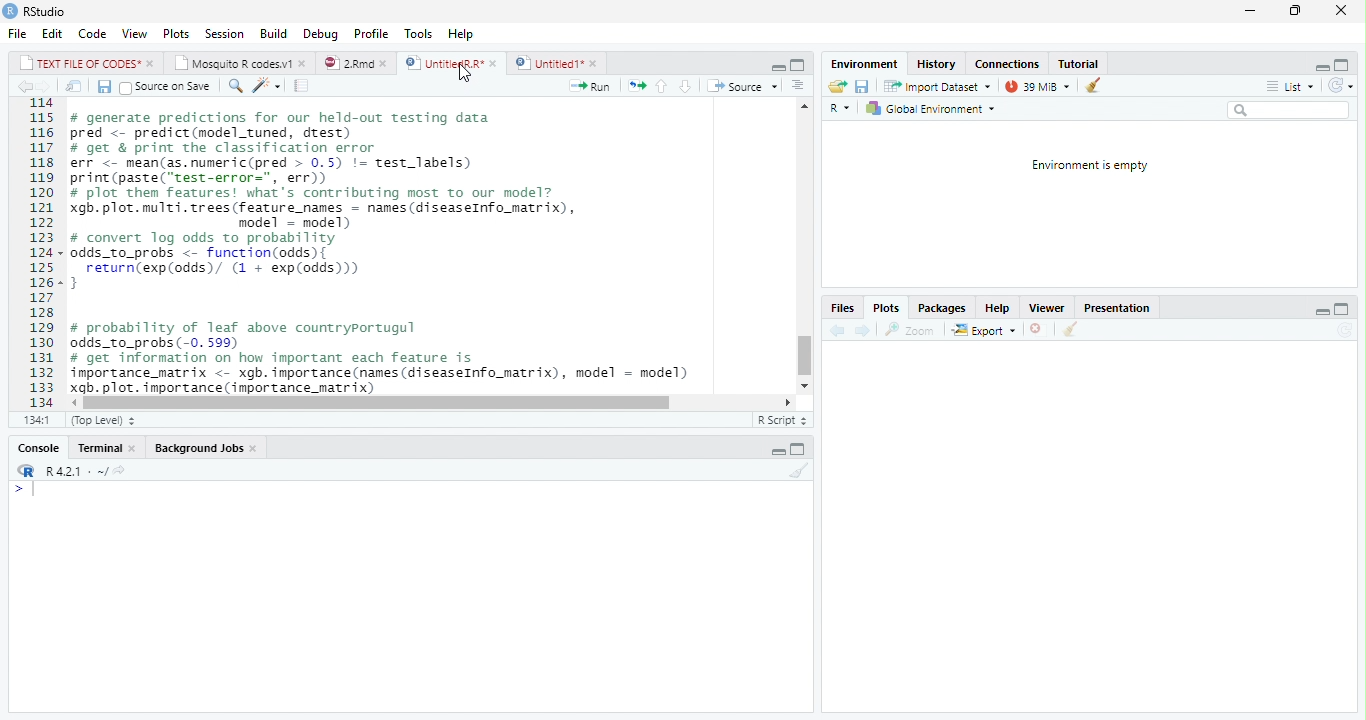  I want to click on Presentation, so click(1119, 306).